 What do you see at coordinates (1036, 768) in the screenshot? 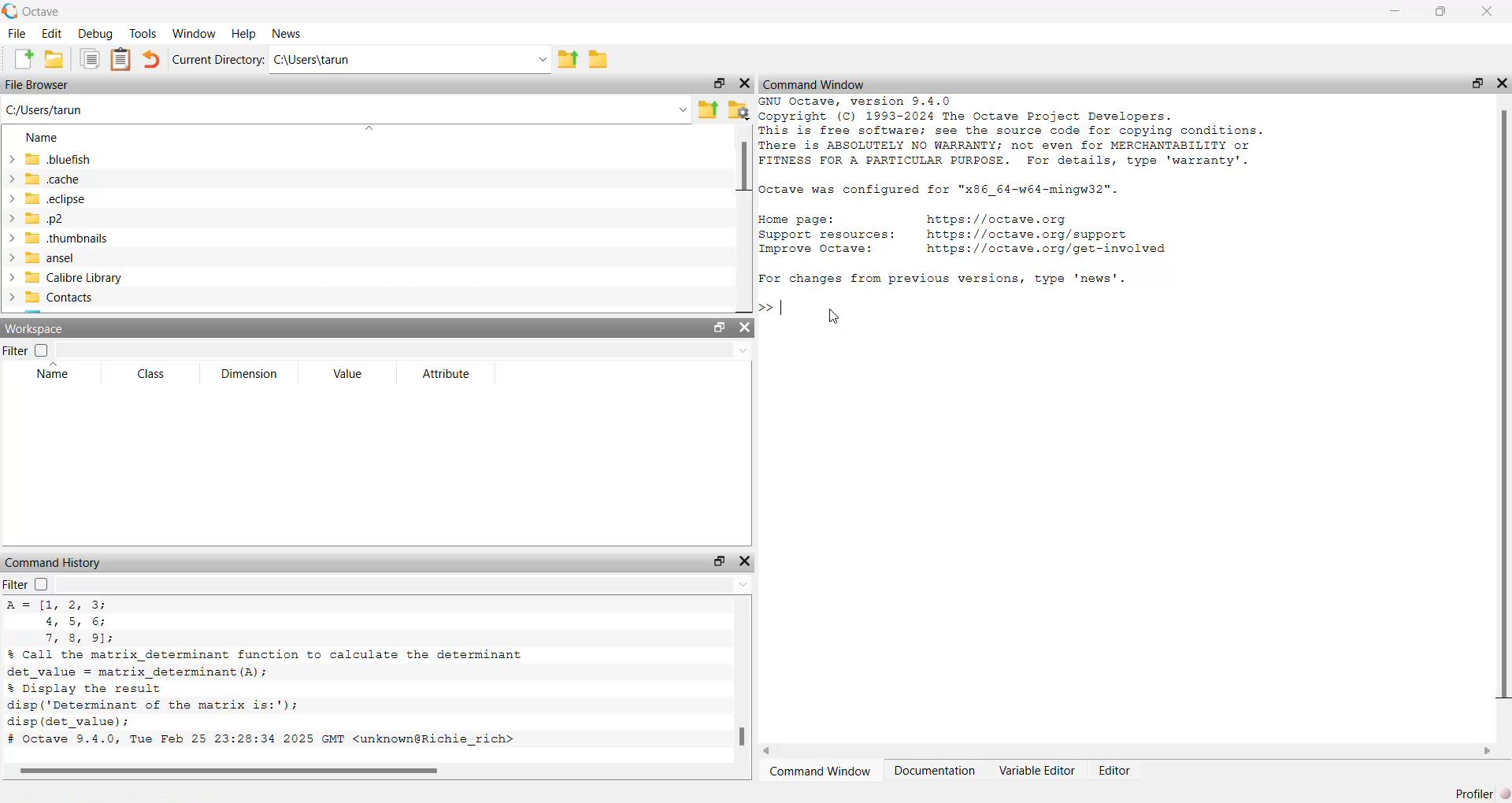
I see `Variable Editor` at bounding box center [1036, 768].